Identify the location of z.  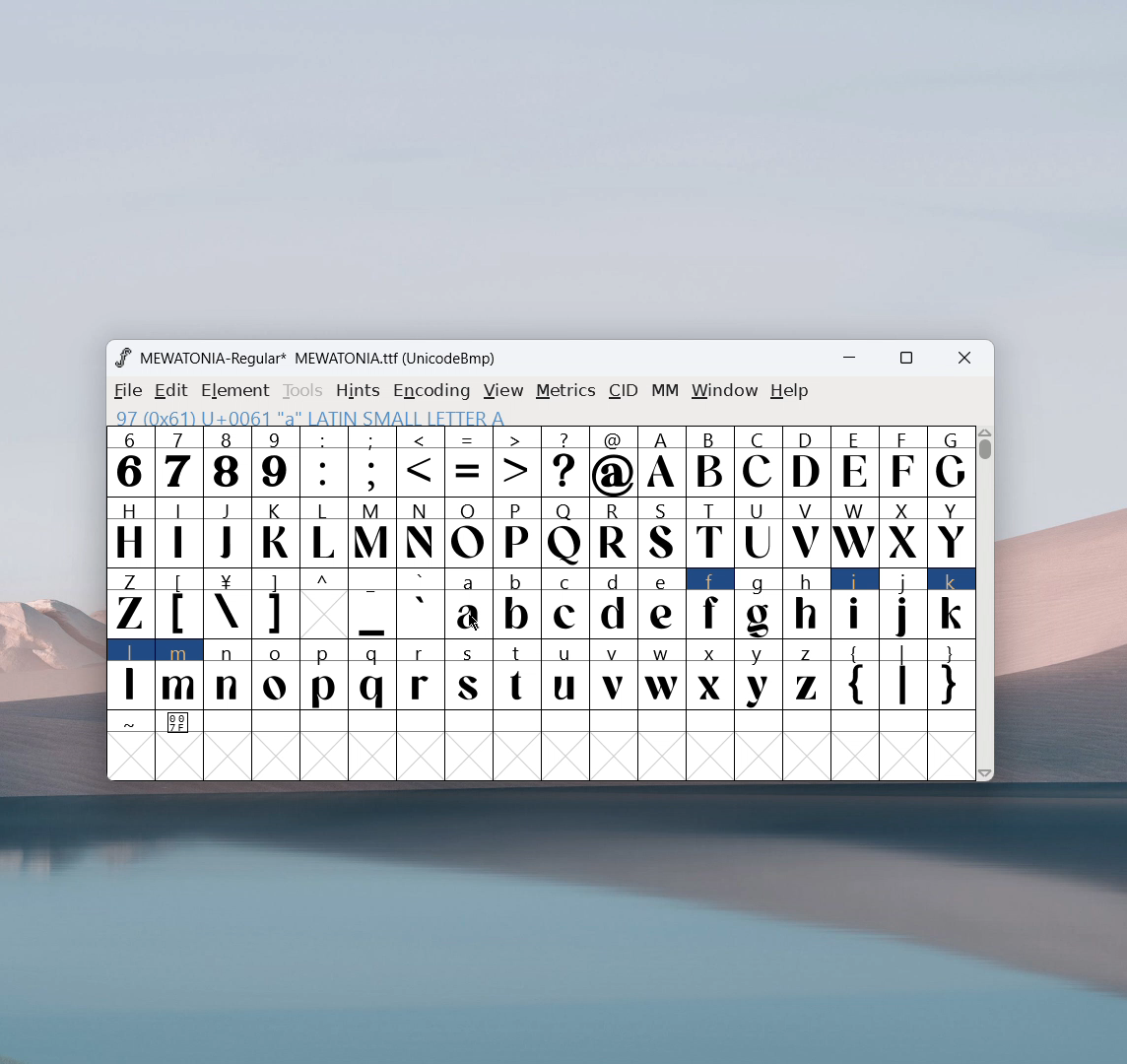
(806, 675).